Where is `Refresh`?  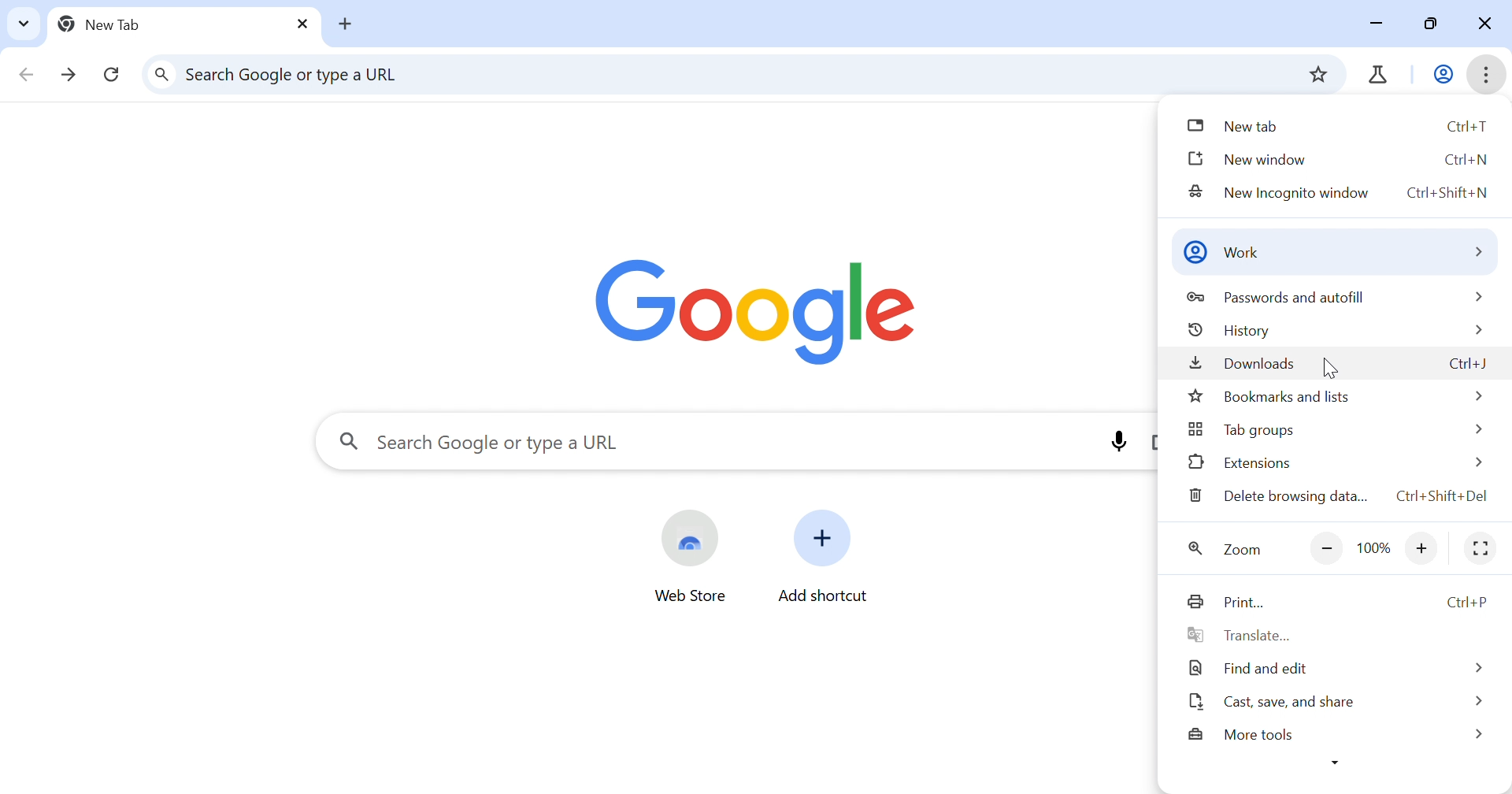 Refresh is located at coordinates (112, 76).